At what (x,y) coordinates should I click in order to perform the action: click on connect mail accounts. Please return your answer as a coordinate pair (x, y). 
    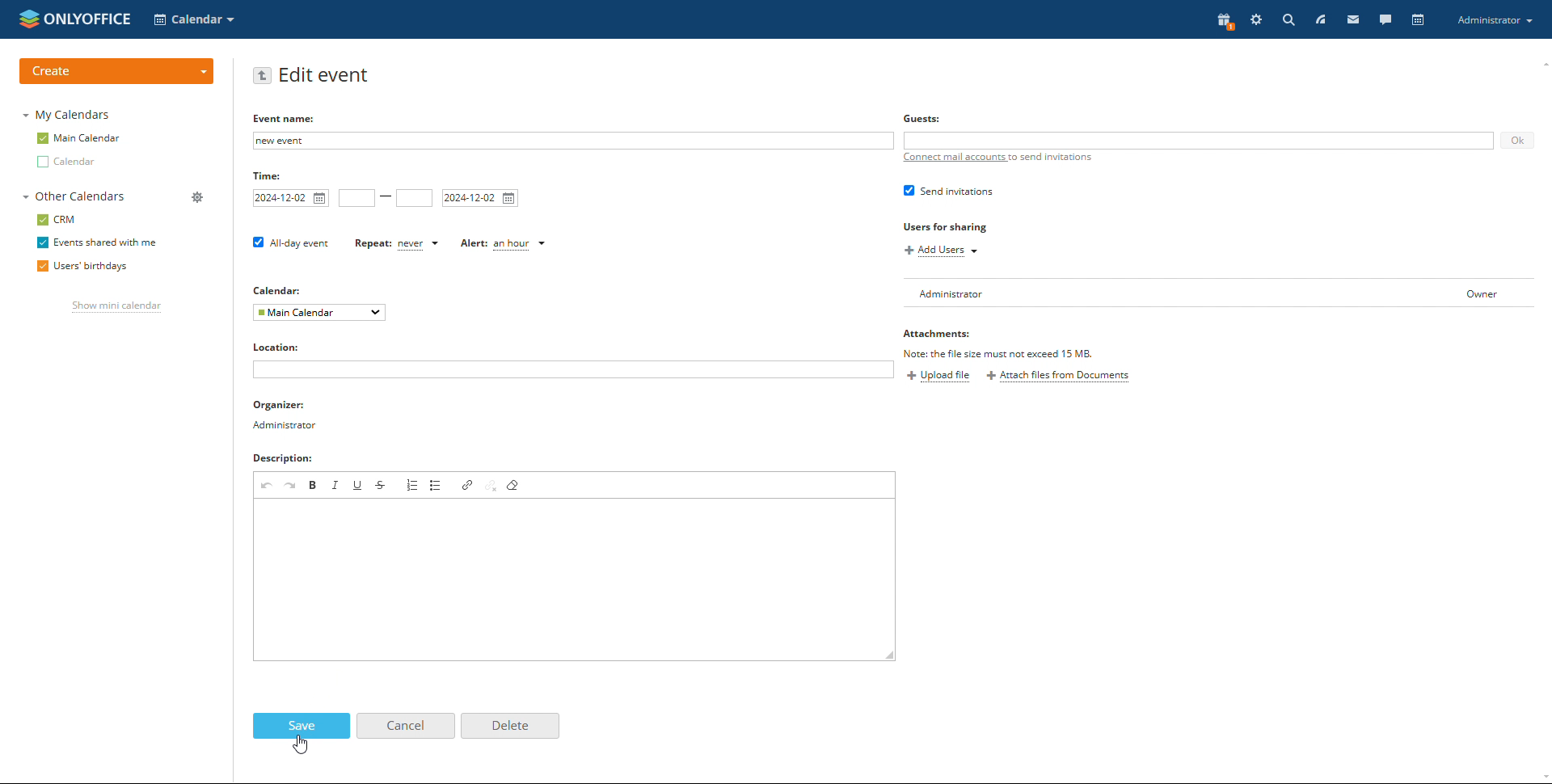
    Looking at the image, I should click on (998, 158).